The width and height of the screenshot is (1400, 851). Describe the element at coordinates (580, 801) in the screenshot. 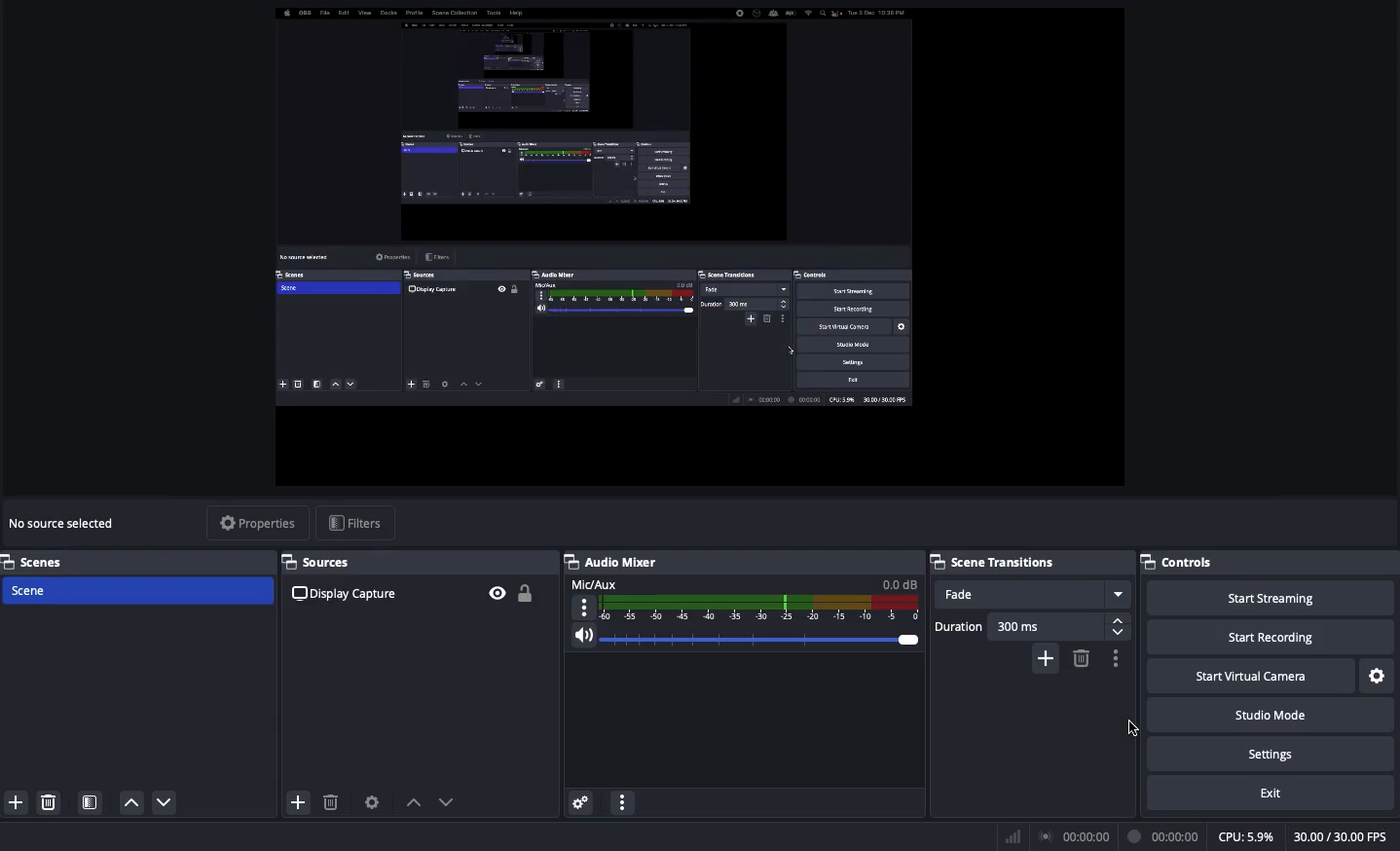

I see `Advanced audio preferences` at that location.